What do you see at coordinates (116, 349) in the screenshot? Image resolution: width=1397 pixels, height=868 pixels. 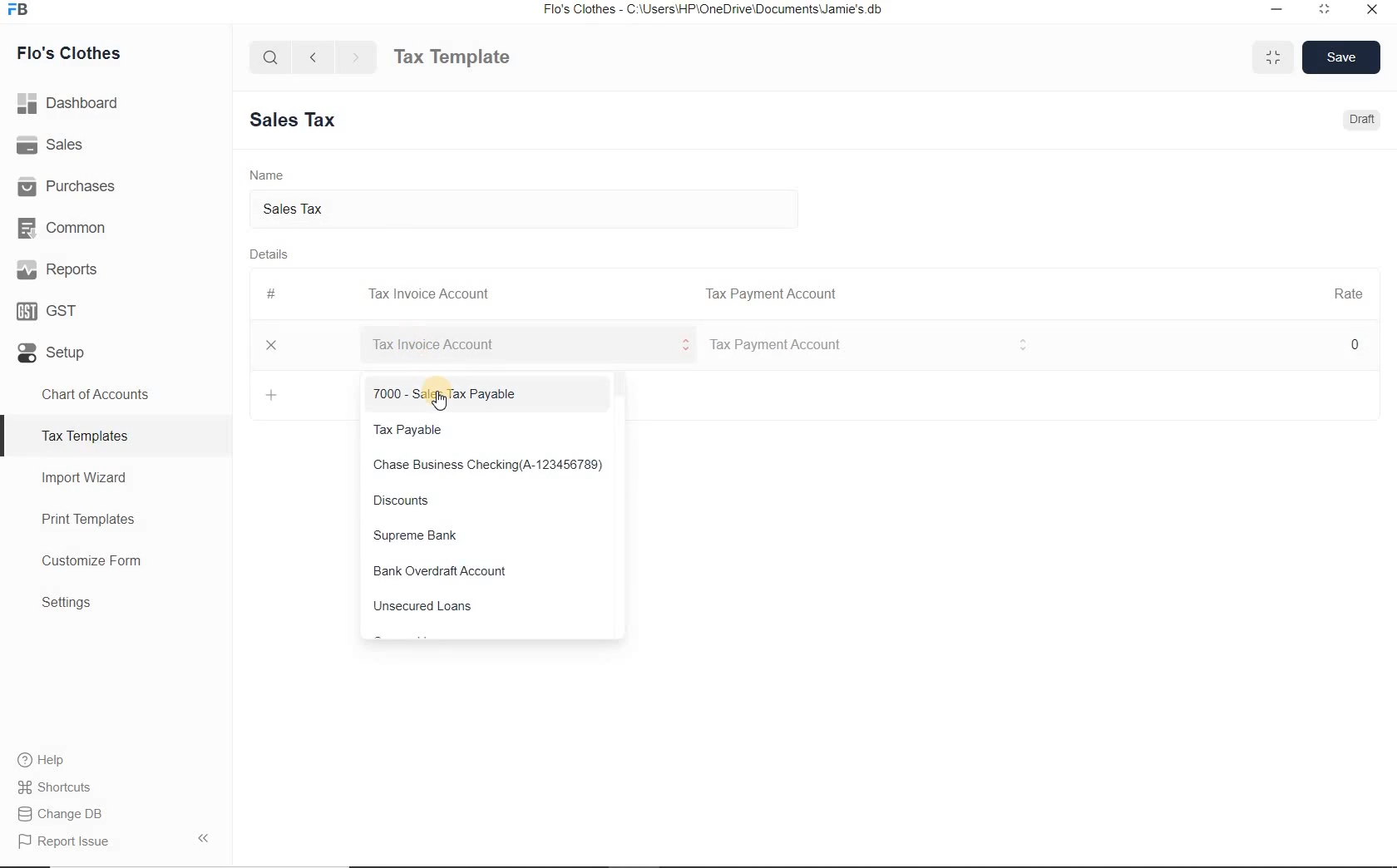 I see `Setup` at bounding box center [116, 349].